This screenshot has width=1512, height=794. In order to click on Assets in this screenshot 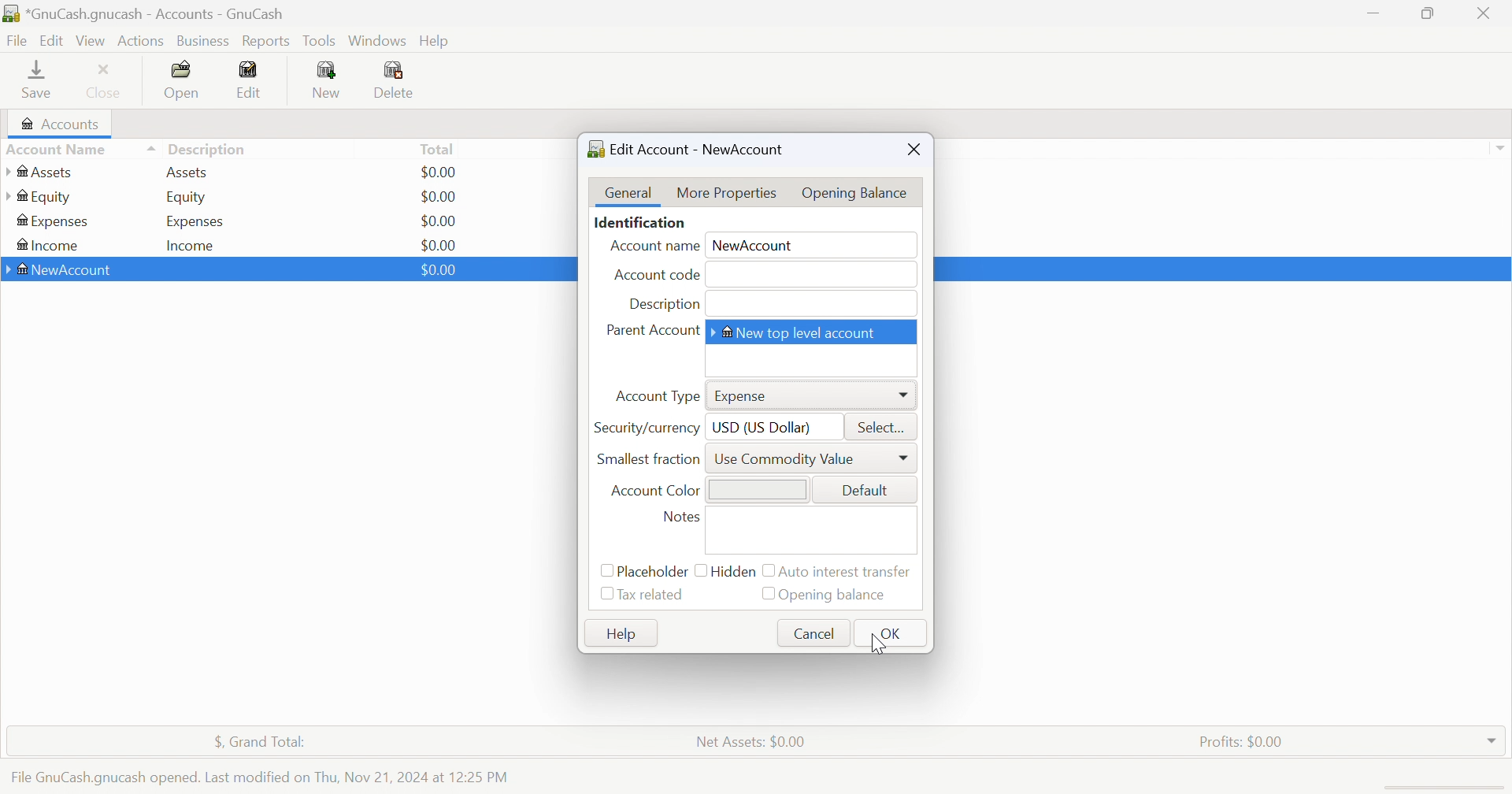, I will do `click(48, 172)`.